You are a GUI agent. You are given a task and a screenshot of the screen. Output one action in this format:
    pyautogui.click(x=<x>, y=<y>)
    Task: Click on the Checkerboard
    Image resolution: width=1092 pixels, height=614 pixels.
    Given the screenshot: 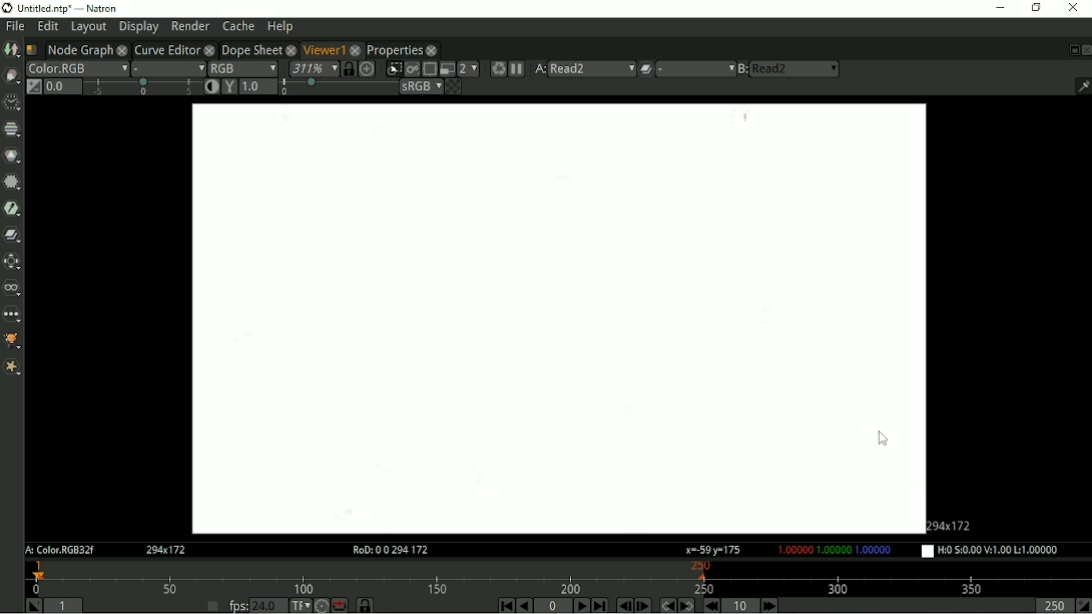 What is the action you would take?
    pyautogui.click(x=453, y=87)
    